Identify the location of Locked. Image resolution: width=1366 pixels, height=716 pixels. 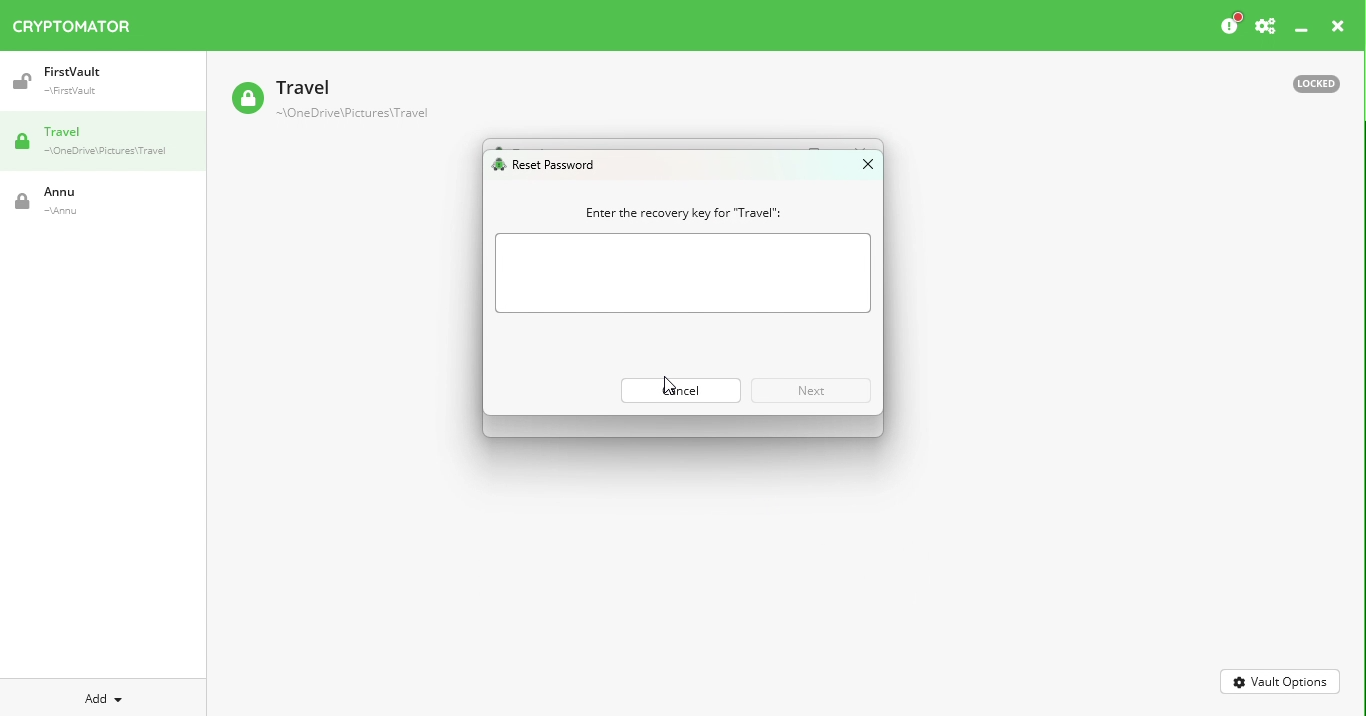
(1307, 82).